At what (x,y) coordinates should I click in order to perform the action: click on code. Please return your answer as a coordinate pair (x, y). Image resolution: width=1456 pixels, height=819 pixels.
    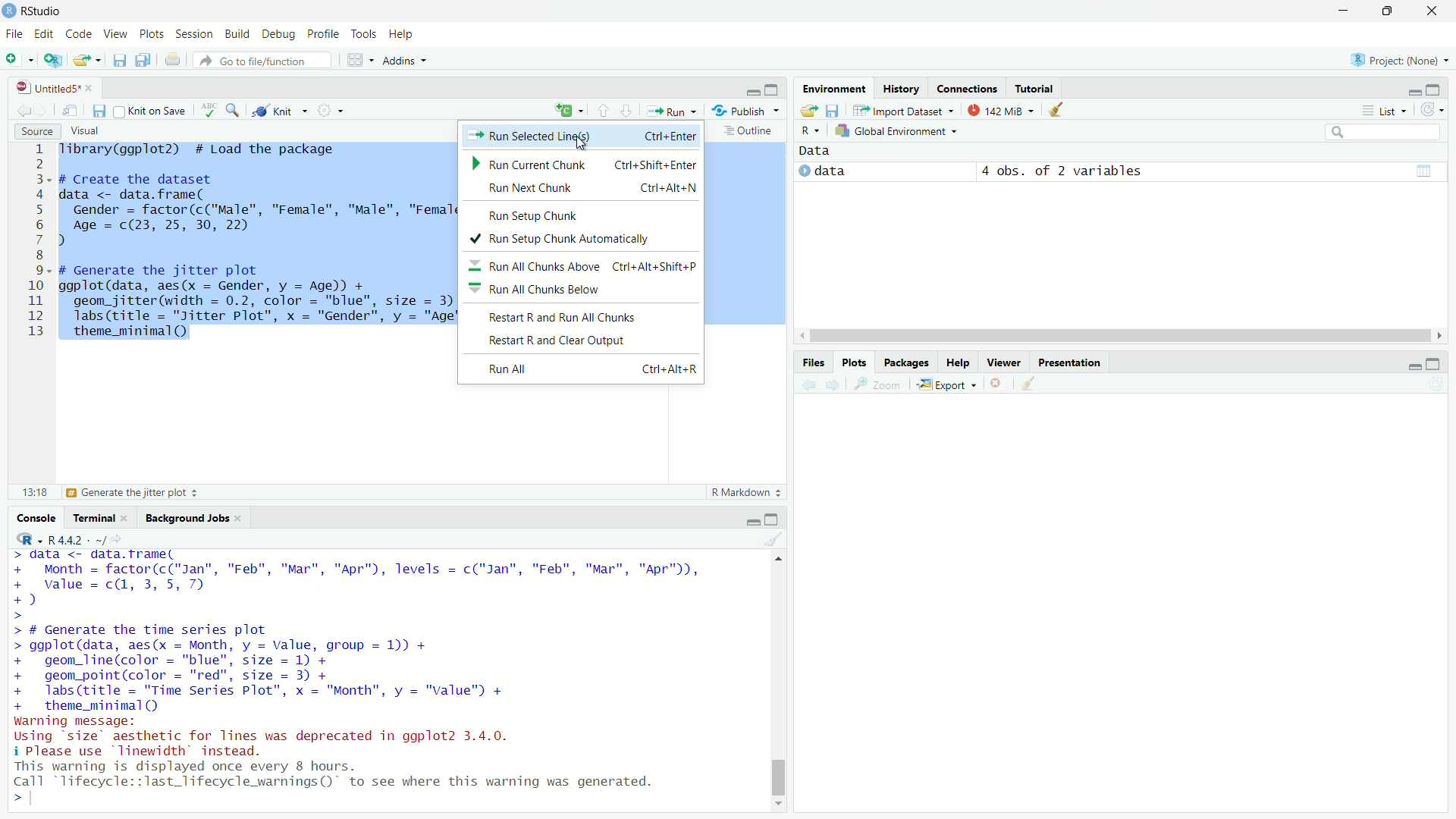
    Looking at the image, I should click on (77, 33).